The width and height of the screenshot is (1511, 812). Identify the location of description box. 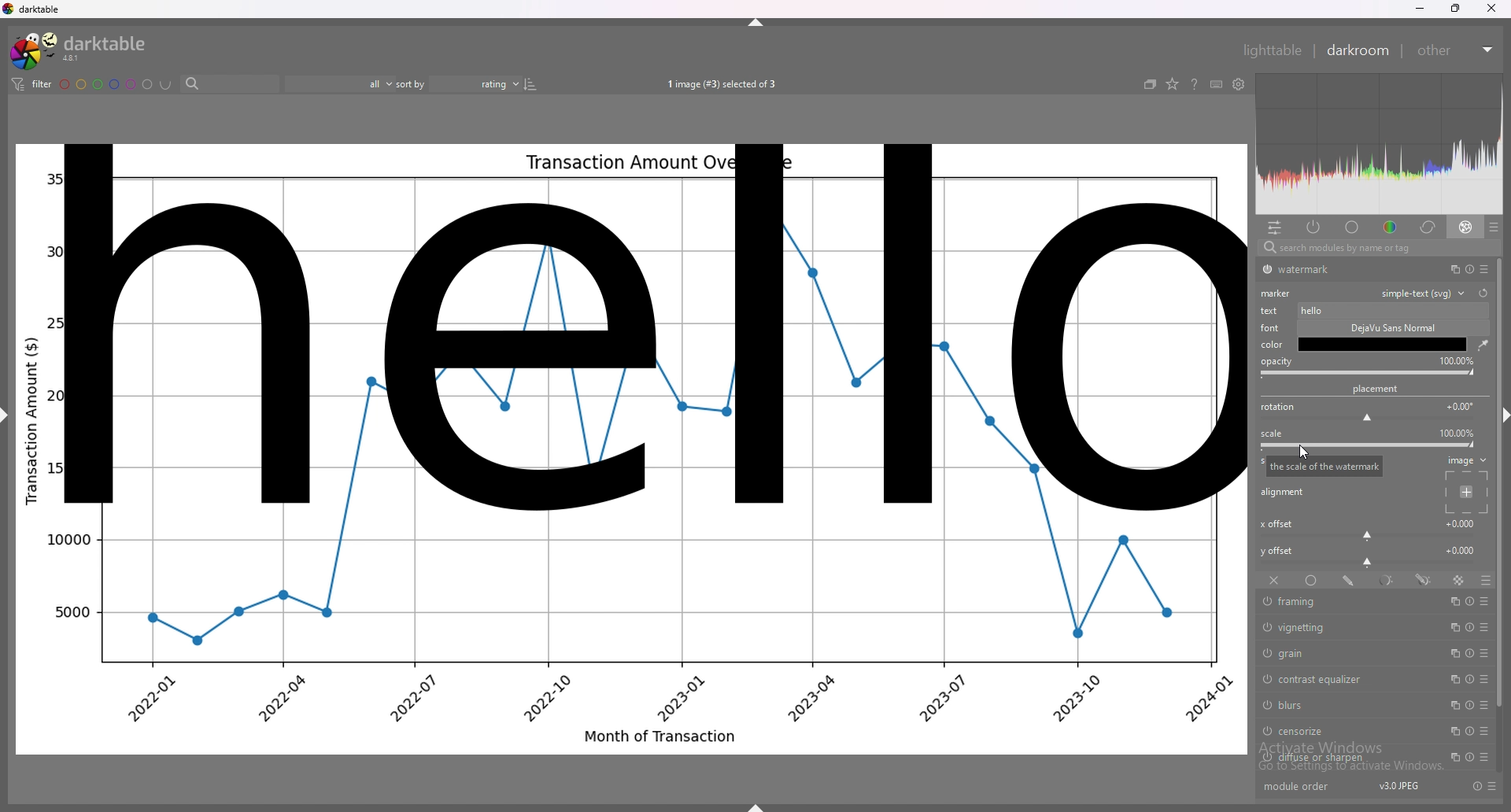
(1384, 336).